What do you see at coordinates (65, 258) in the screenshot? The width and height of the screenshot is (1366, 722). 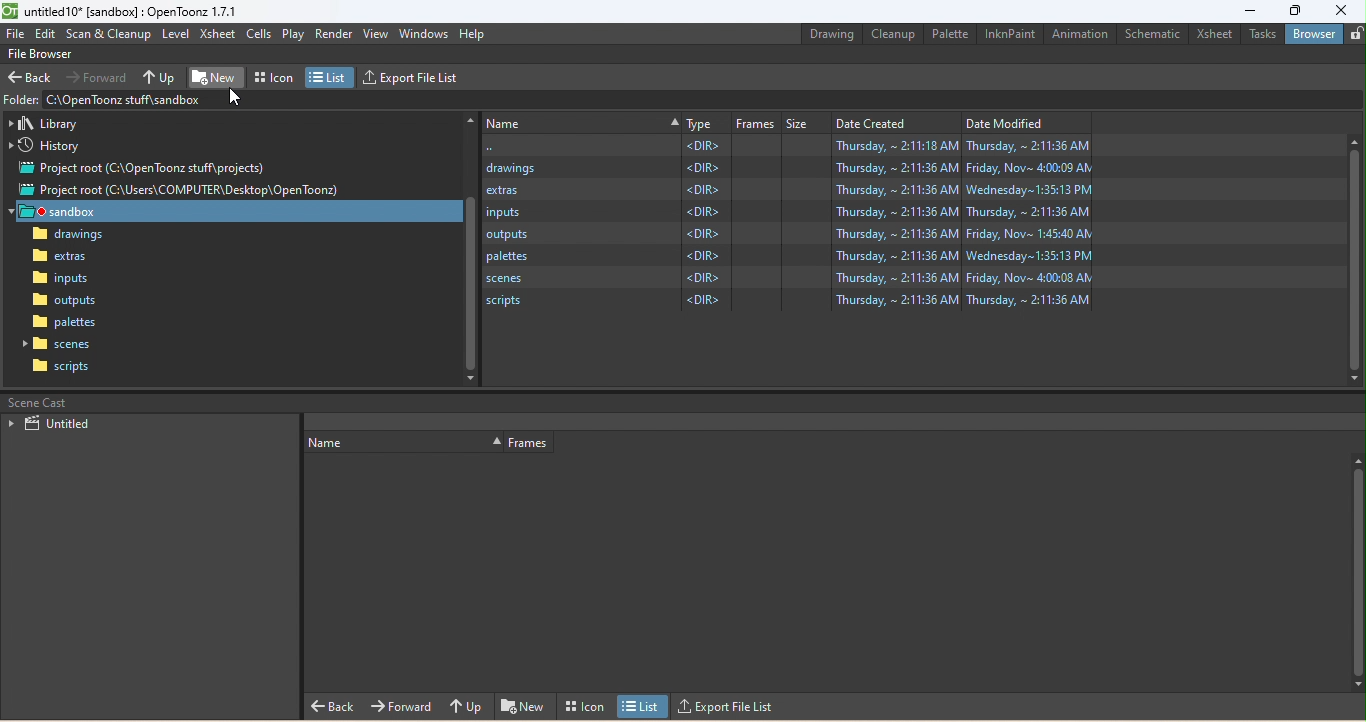 I see `extras` at bounding box center [65, 258].